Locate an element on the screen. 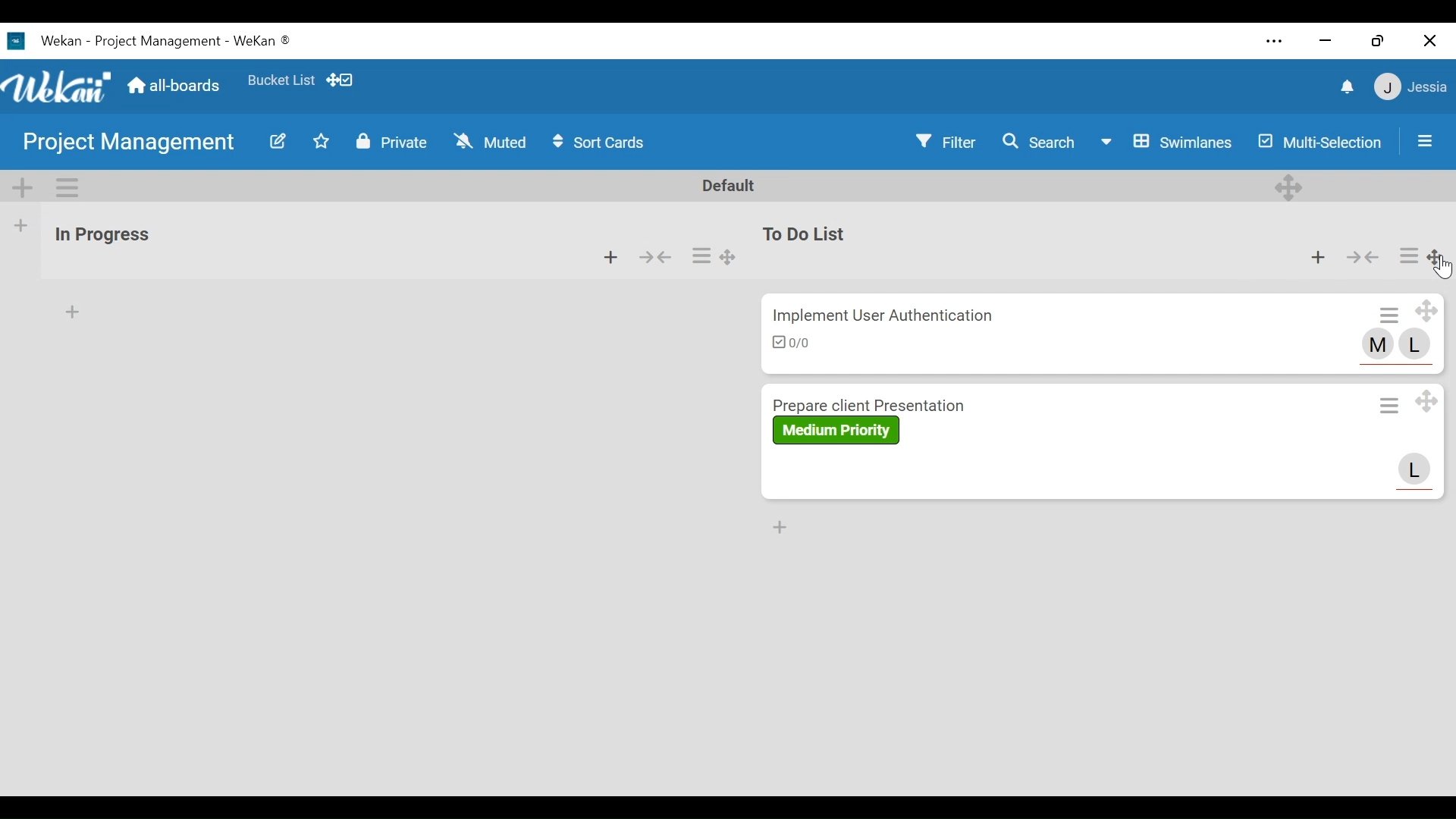 This screenshot has width=1456, height=819. Home (all boards) is located at coordinates (176, 86).